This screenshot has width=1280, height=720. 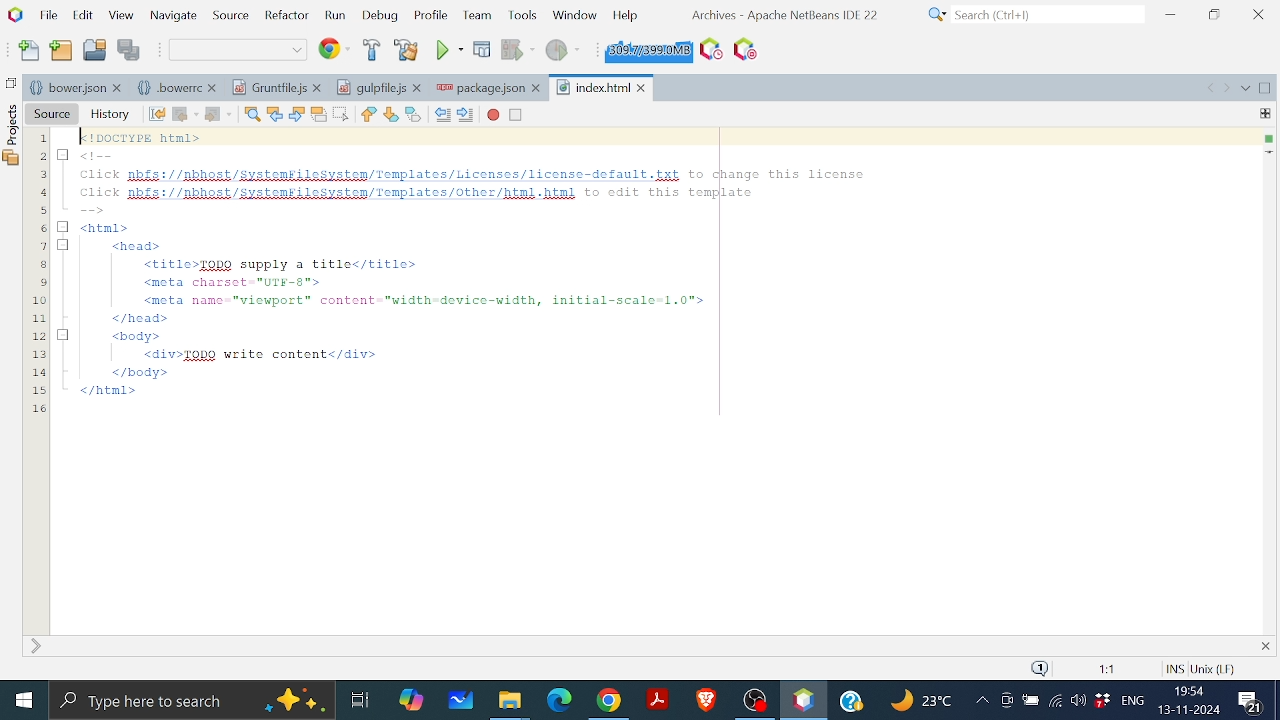 What do you see at coordinates (574, 13) in the screenshot?
I see `` at bounding box center [574, 13].